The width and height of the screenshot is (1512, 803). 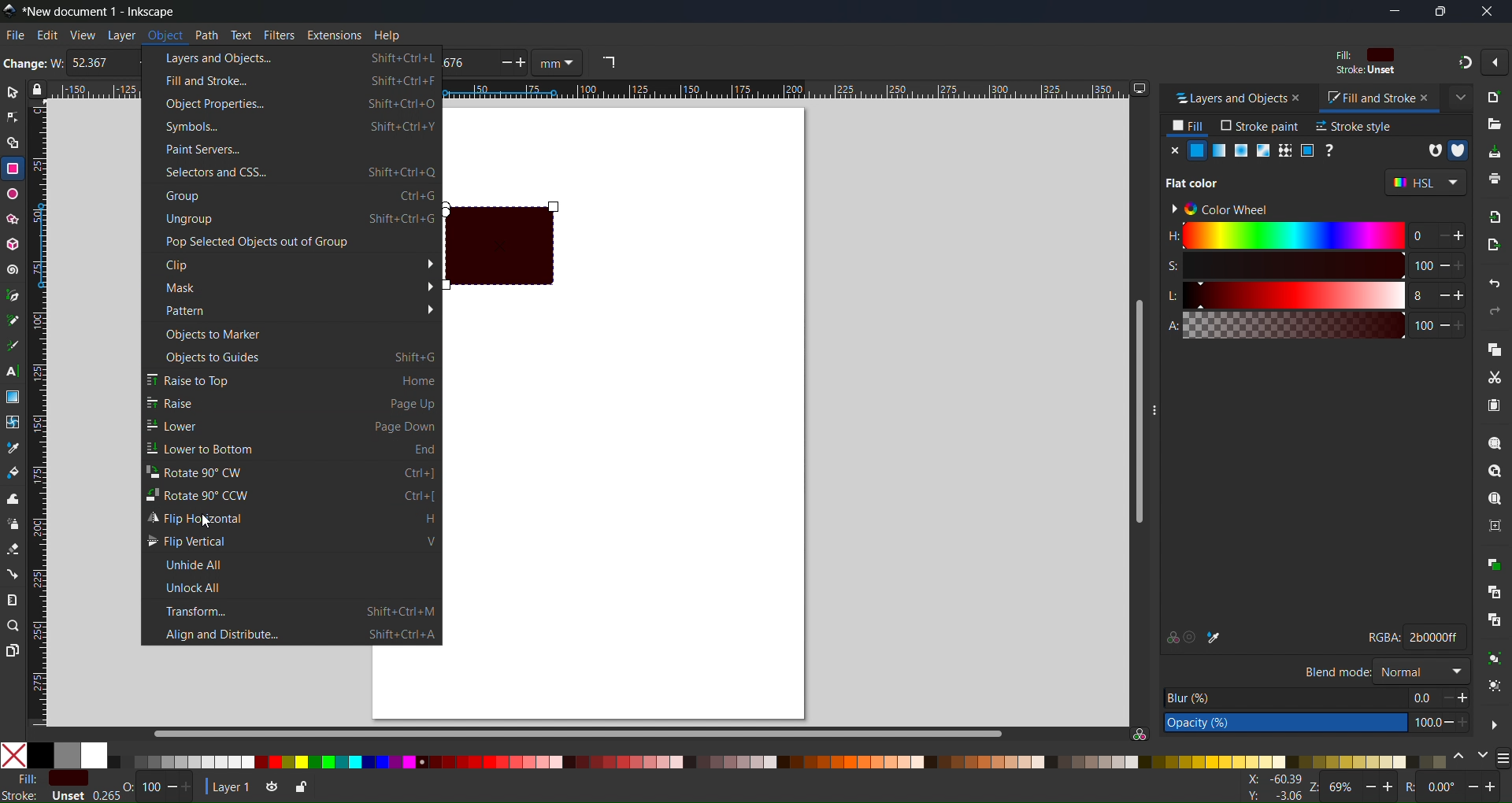 I want to click on Color wheel, so click(x=1226, y=207).